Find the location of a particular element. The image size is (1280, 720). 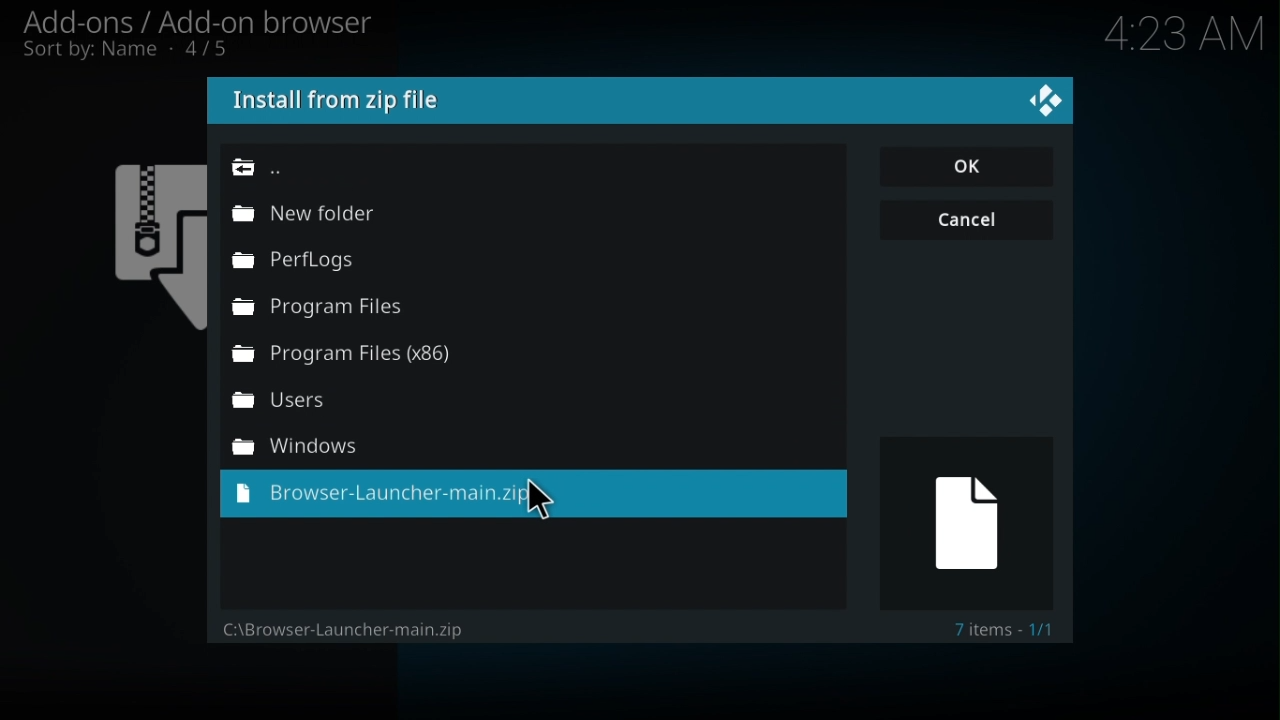

FREE TRIAL EXPIREDimage is located at coordinates (963, 521).